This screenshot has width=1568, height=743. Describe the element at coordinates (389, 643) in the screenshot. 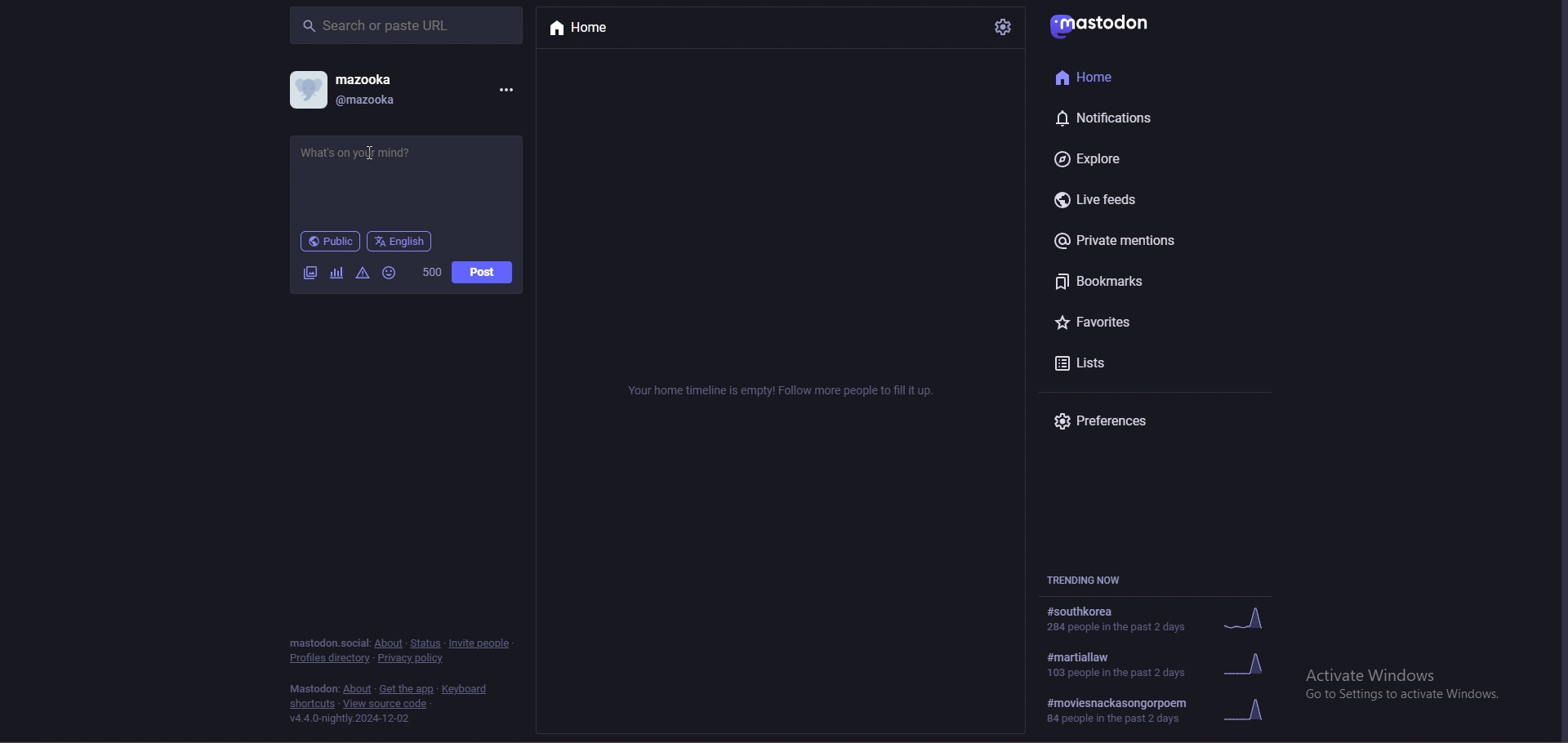

I see `about` at that location.